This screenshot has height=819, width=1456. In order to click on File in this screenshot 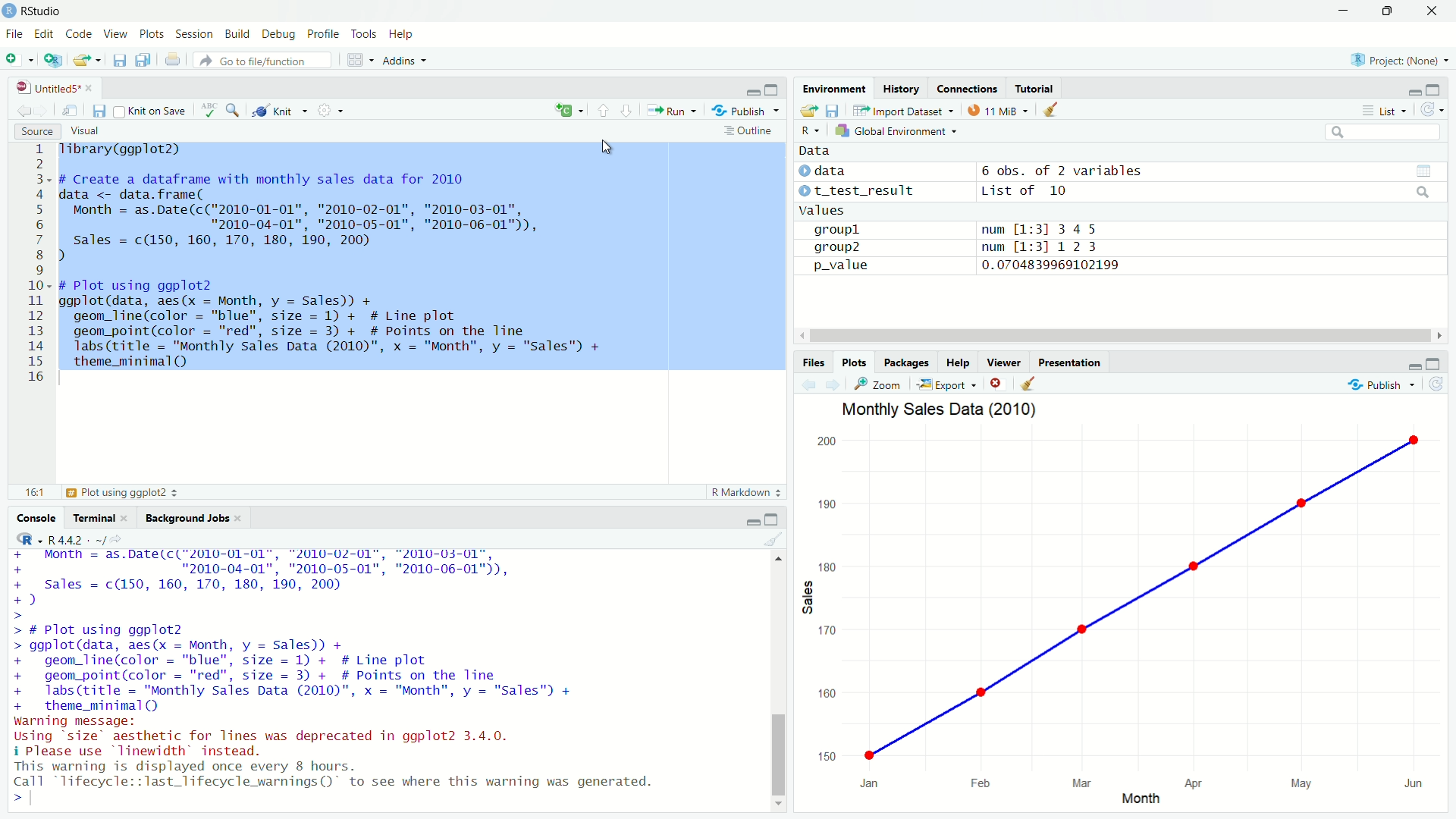, I will do `click(14, 31)`.